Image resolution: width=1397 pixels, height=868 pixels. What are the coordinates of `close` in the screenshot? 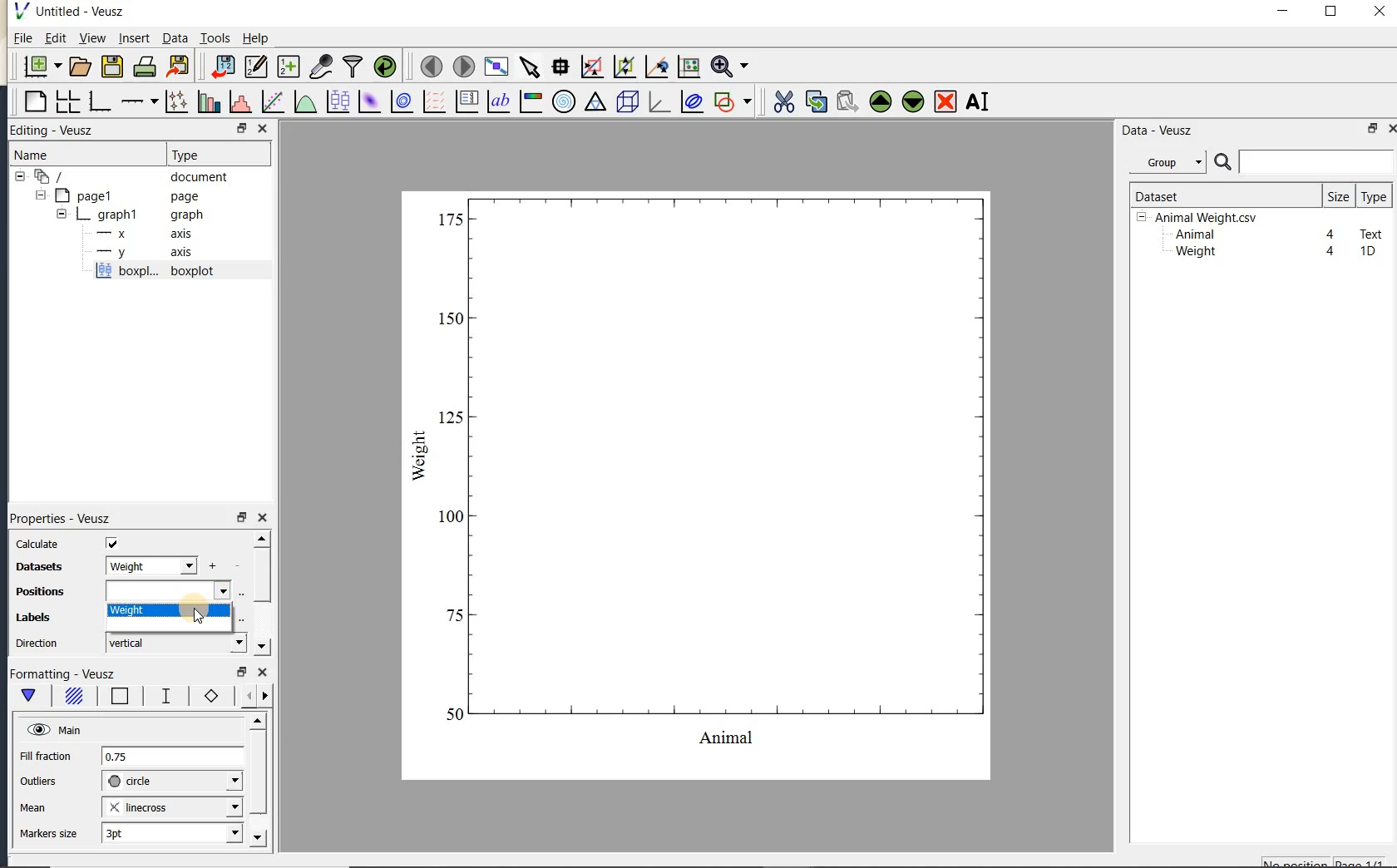 It's located at (263, 673).